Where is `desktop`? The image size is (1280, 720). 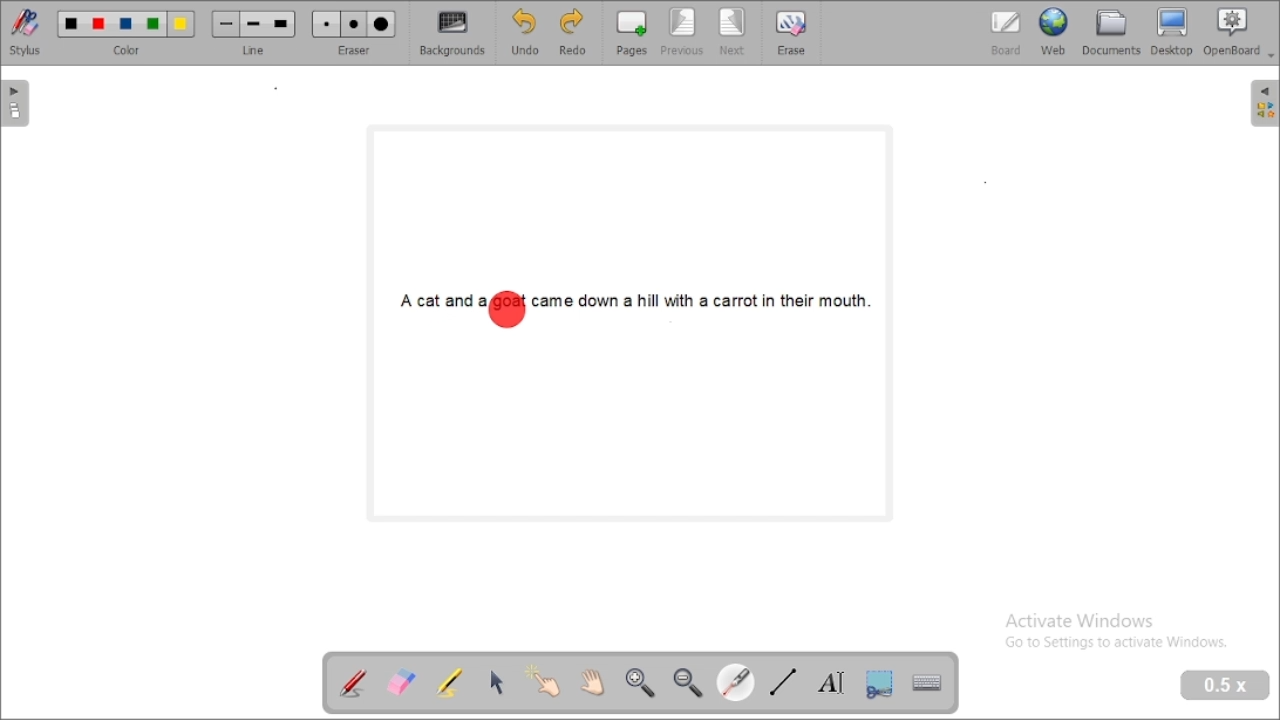
desktop is located at coordinates (1172, 32).